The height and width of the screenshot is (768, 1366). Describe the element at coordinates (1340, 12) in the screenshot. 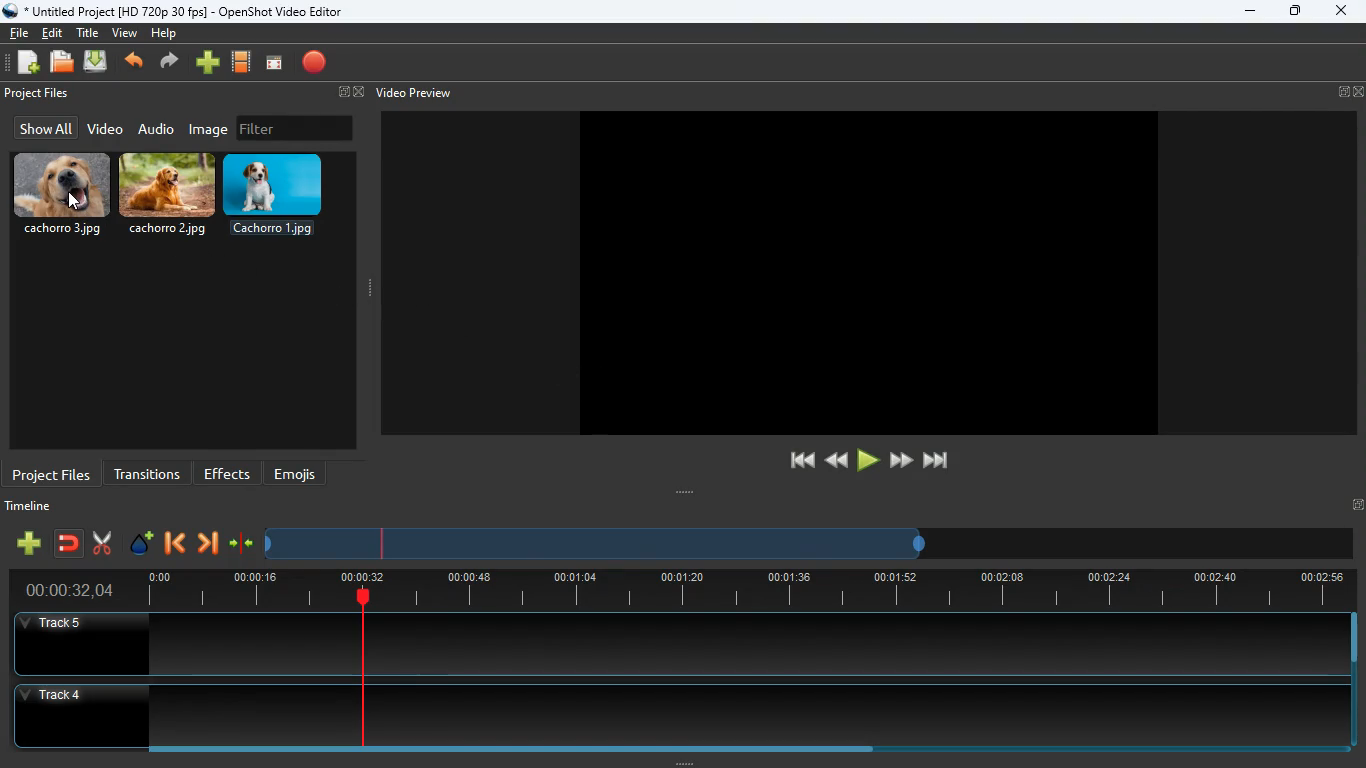

I see `close` at that location.